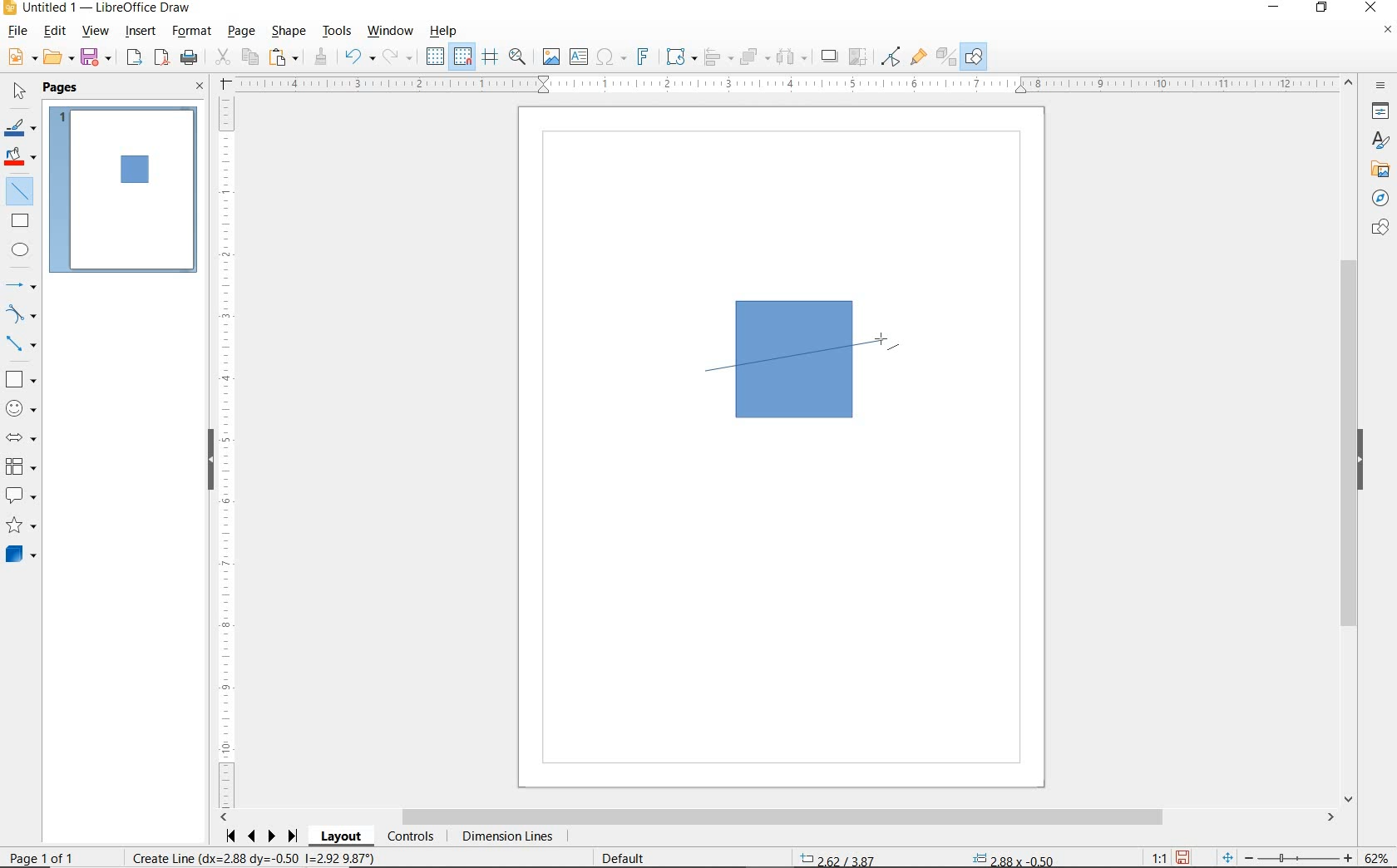 The width and height of the screenshot is (1397, 868). What do you see at coordinates (642, 57) in the screenshot?
I see `INSERT FRONTWORK TEXT` at bounding box center [642, 57].